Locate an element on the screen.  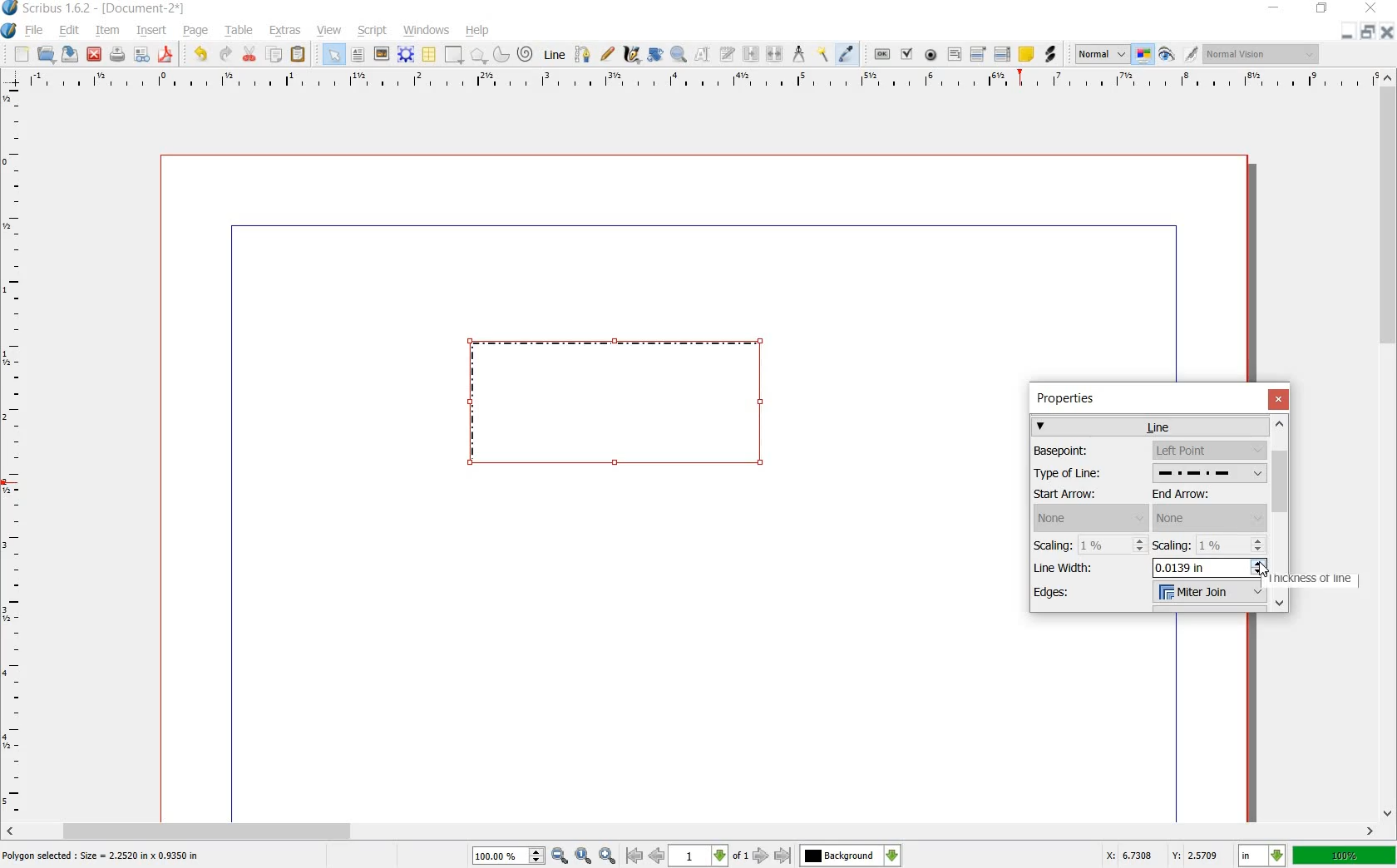
BEZIER CURVE is located at coordinates (585, 55).